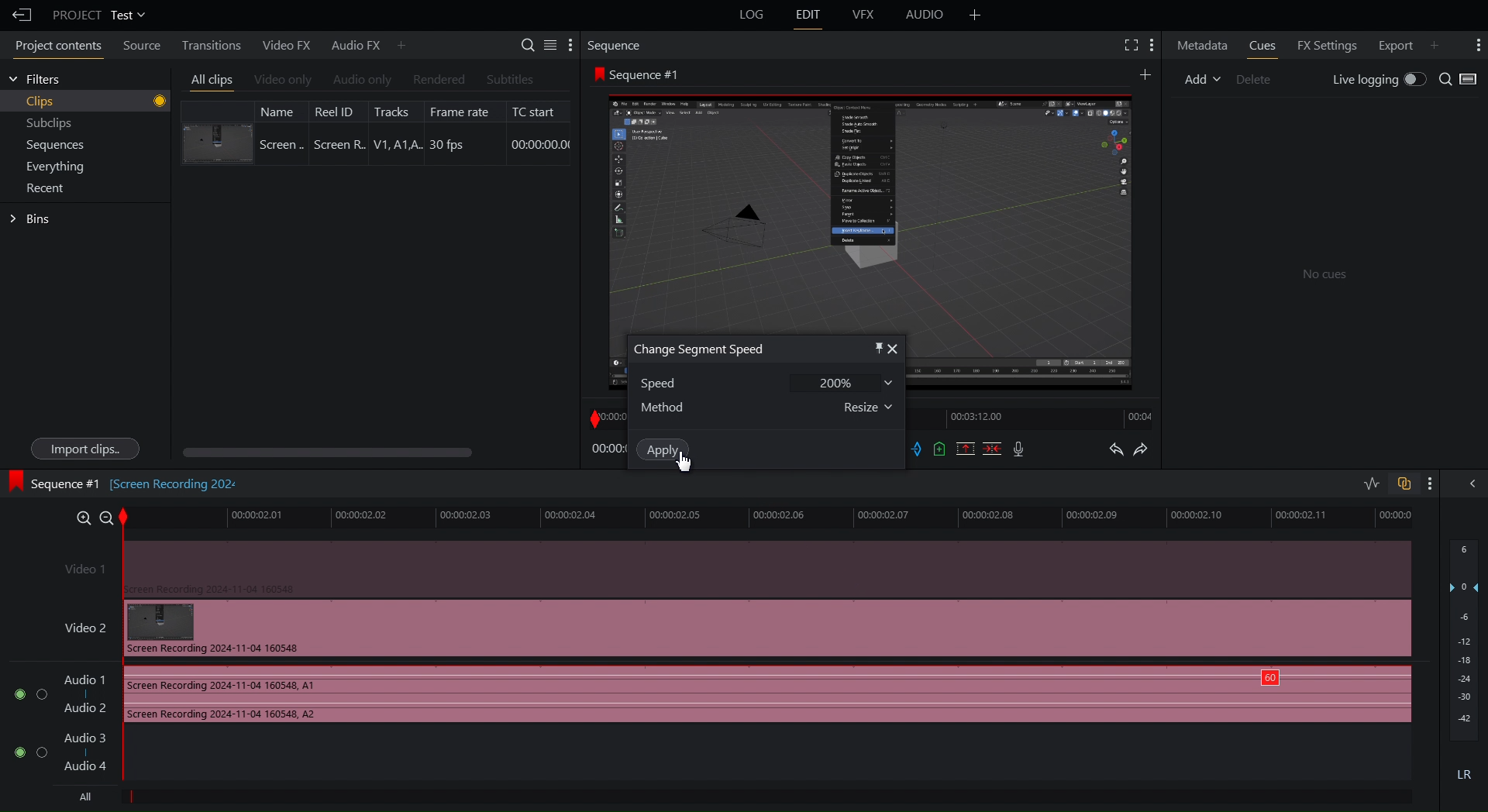 The image size is (1488, 812). What do you see at coordinates (354, 452) in the screenshot?
I see `Scroll bar` at bounding box center [354, 452].